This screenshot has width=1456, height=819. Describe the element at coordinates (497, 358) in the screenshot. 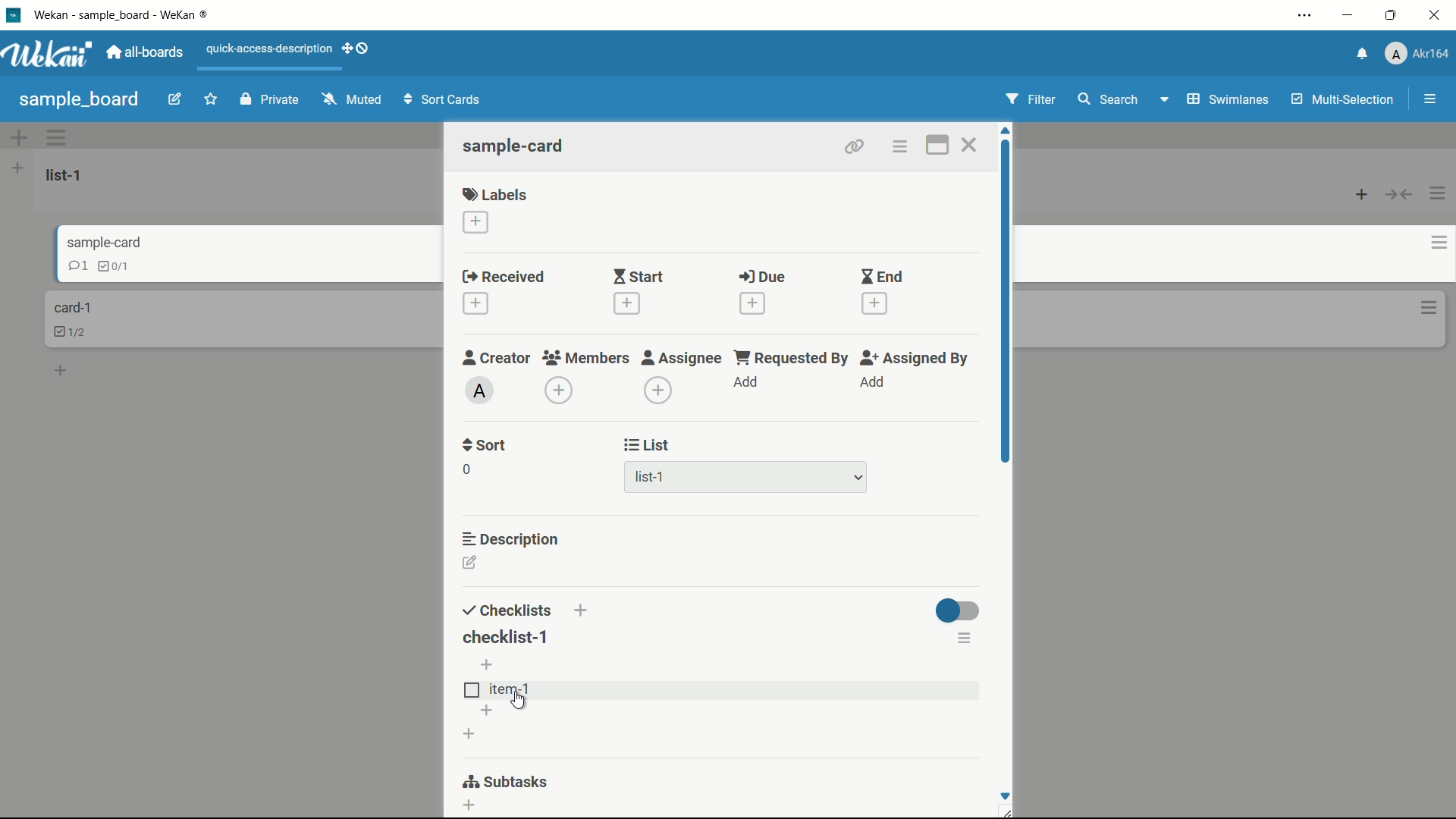

I see `creator` at that location.